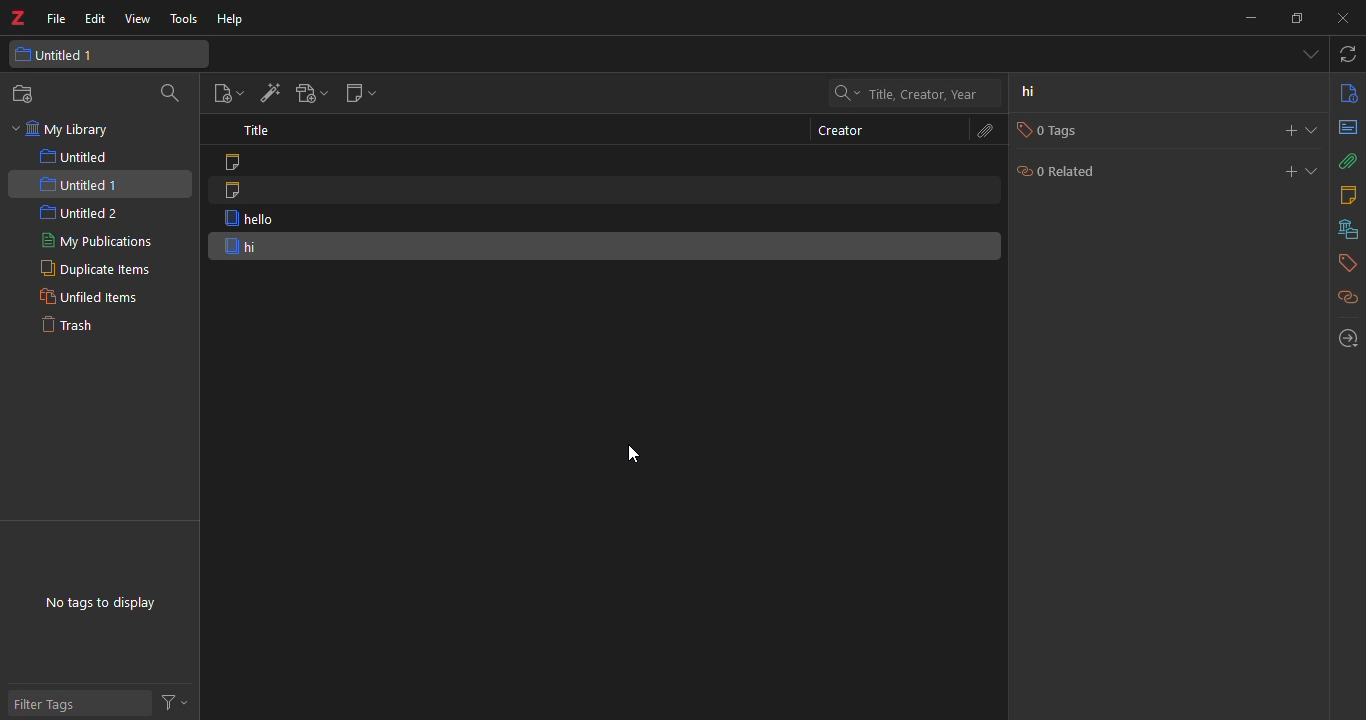  I want to click on tab, so click(1306, 54).